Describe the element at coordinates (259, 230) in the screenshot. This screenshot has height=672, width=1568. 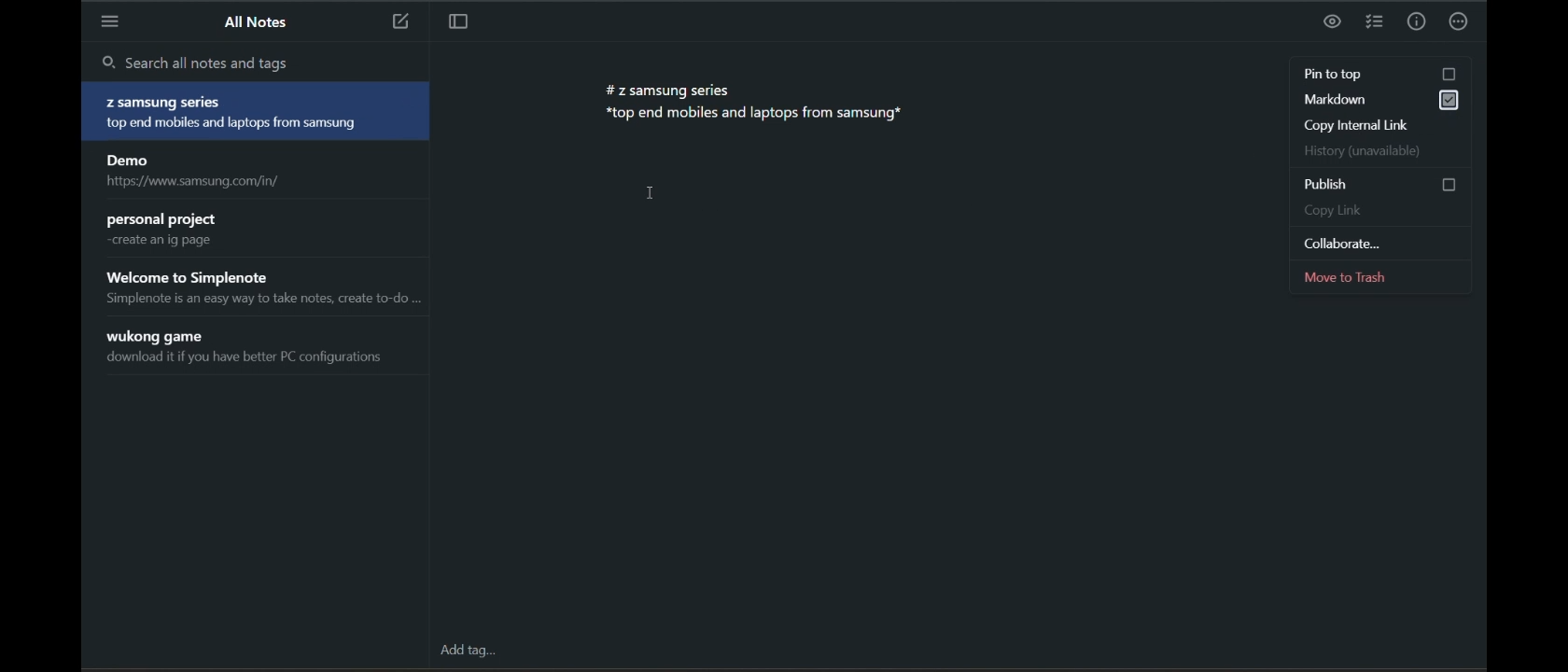
I see `personal project create an ig page` at that location.